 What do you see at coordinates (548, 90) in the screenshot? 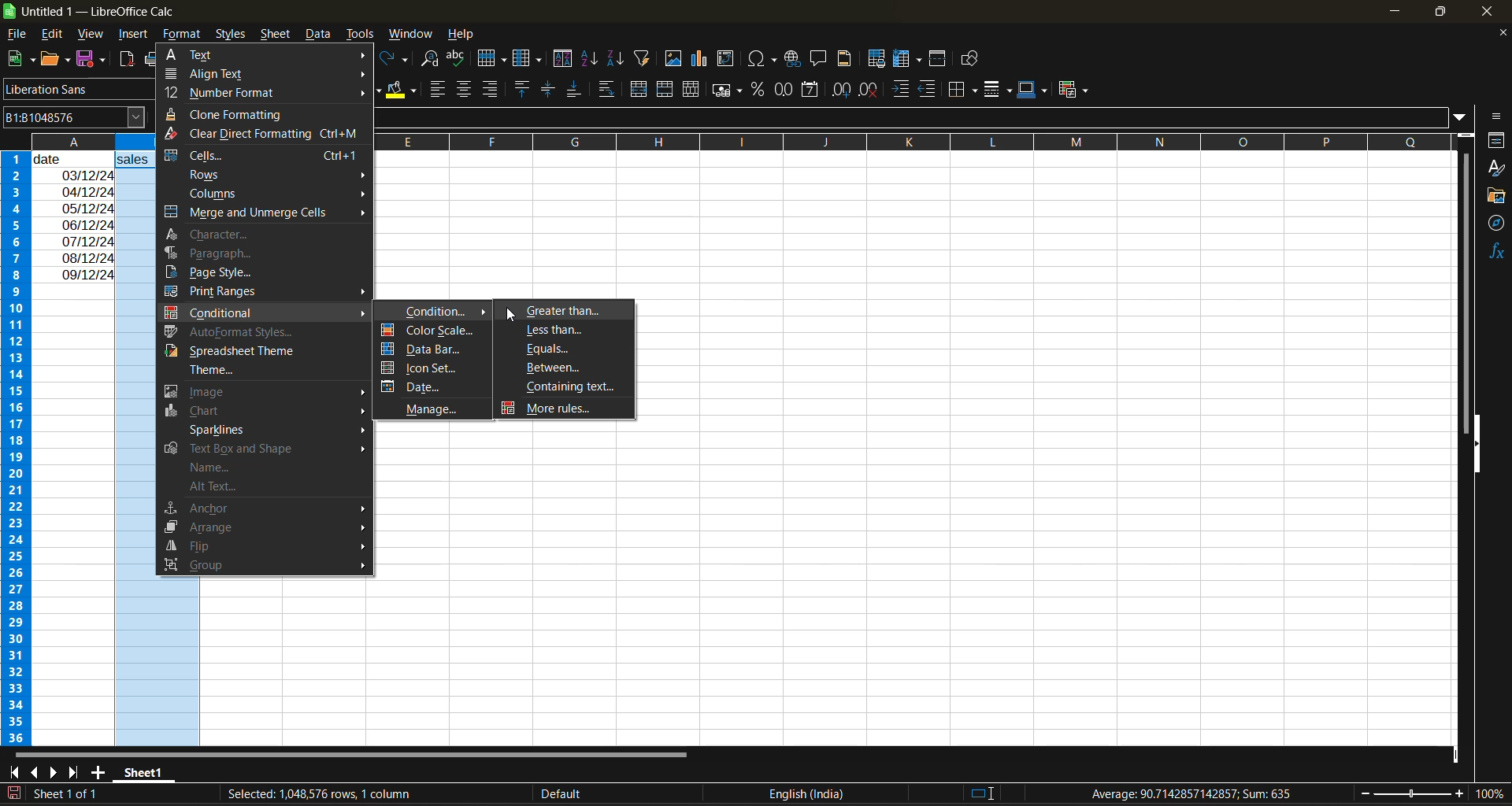
I see `center vertically` at bounding box center [548, 90].